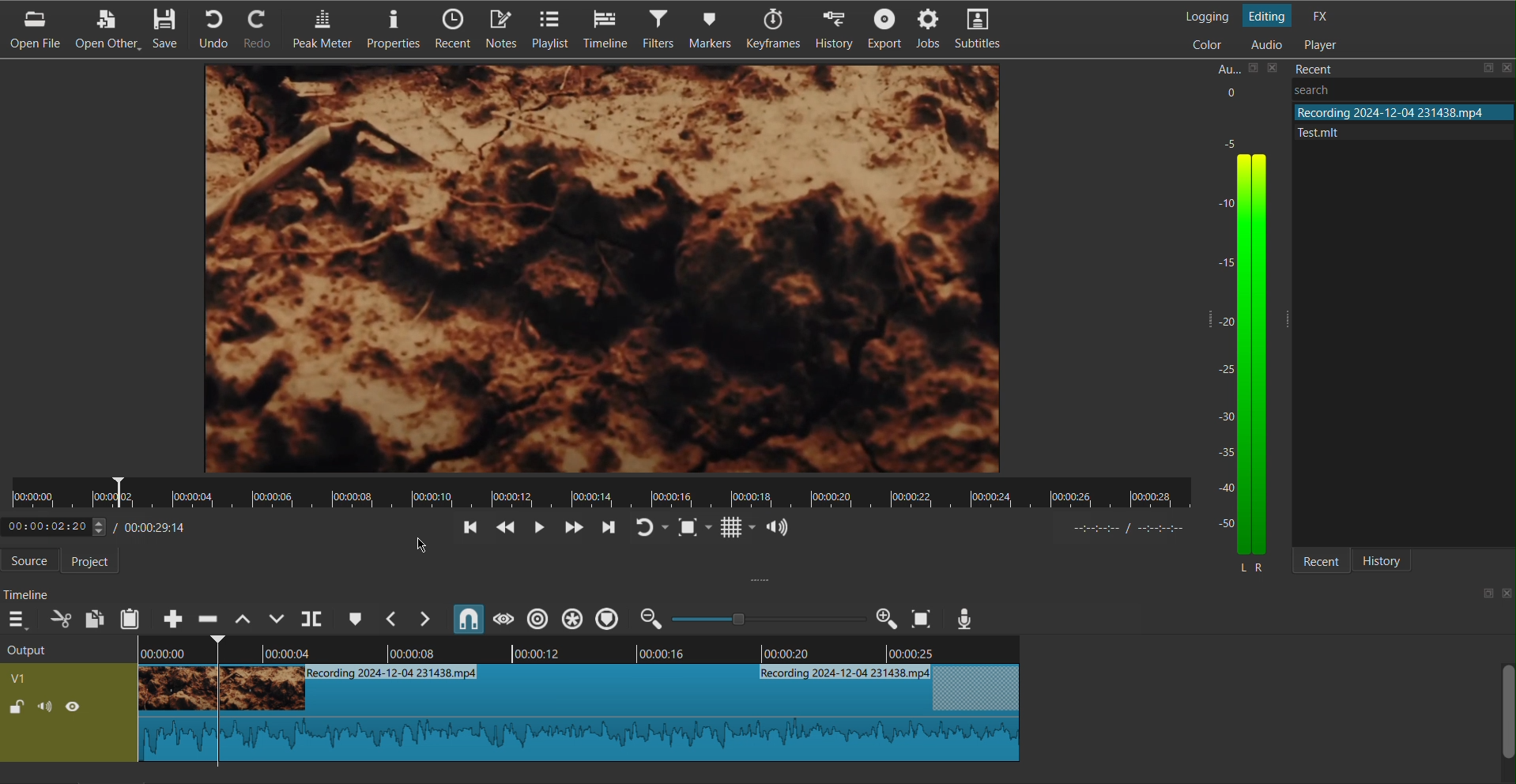  What do you see at coordinates (242, 617) in the screenshot?
I see `Lift` at bounding box center [242, 617].